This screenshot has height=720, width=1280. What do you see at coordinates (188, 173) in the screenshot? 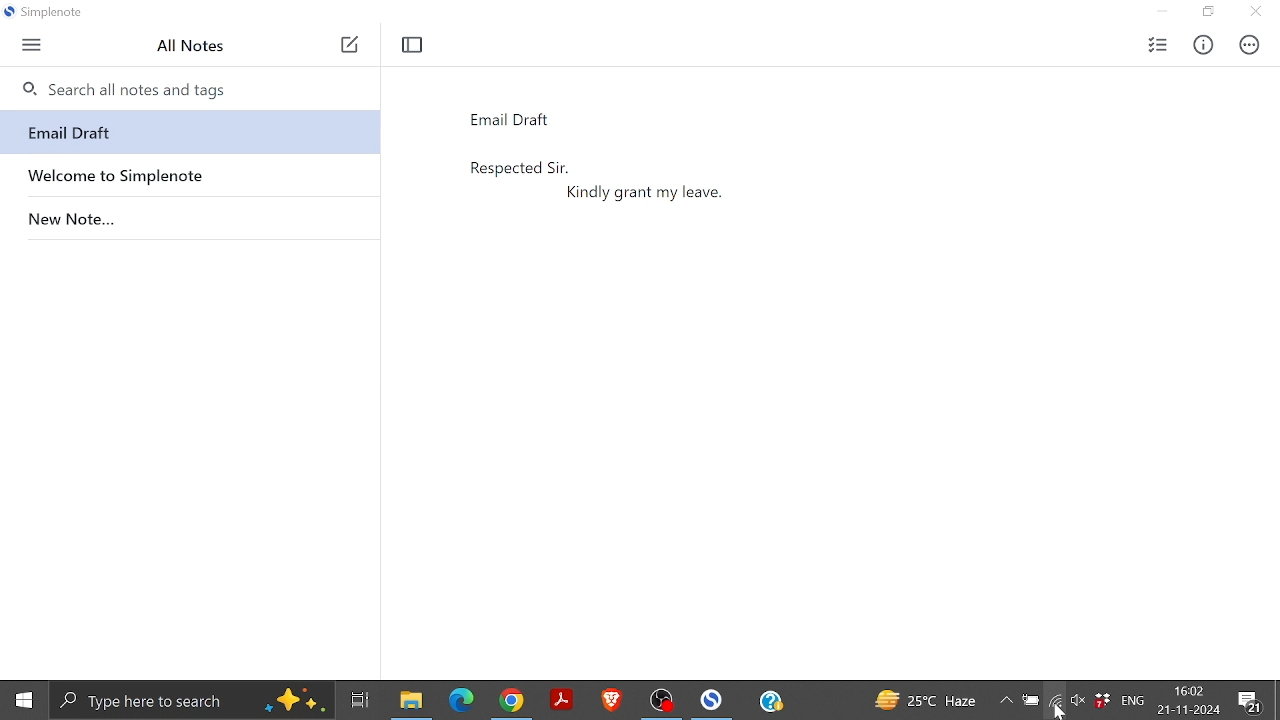
I see `Note titled "Welcome to Simplenote"` at bounding box center [188, 173].